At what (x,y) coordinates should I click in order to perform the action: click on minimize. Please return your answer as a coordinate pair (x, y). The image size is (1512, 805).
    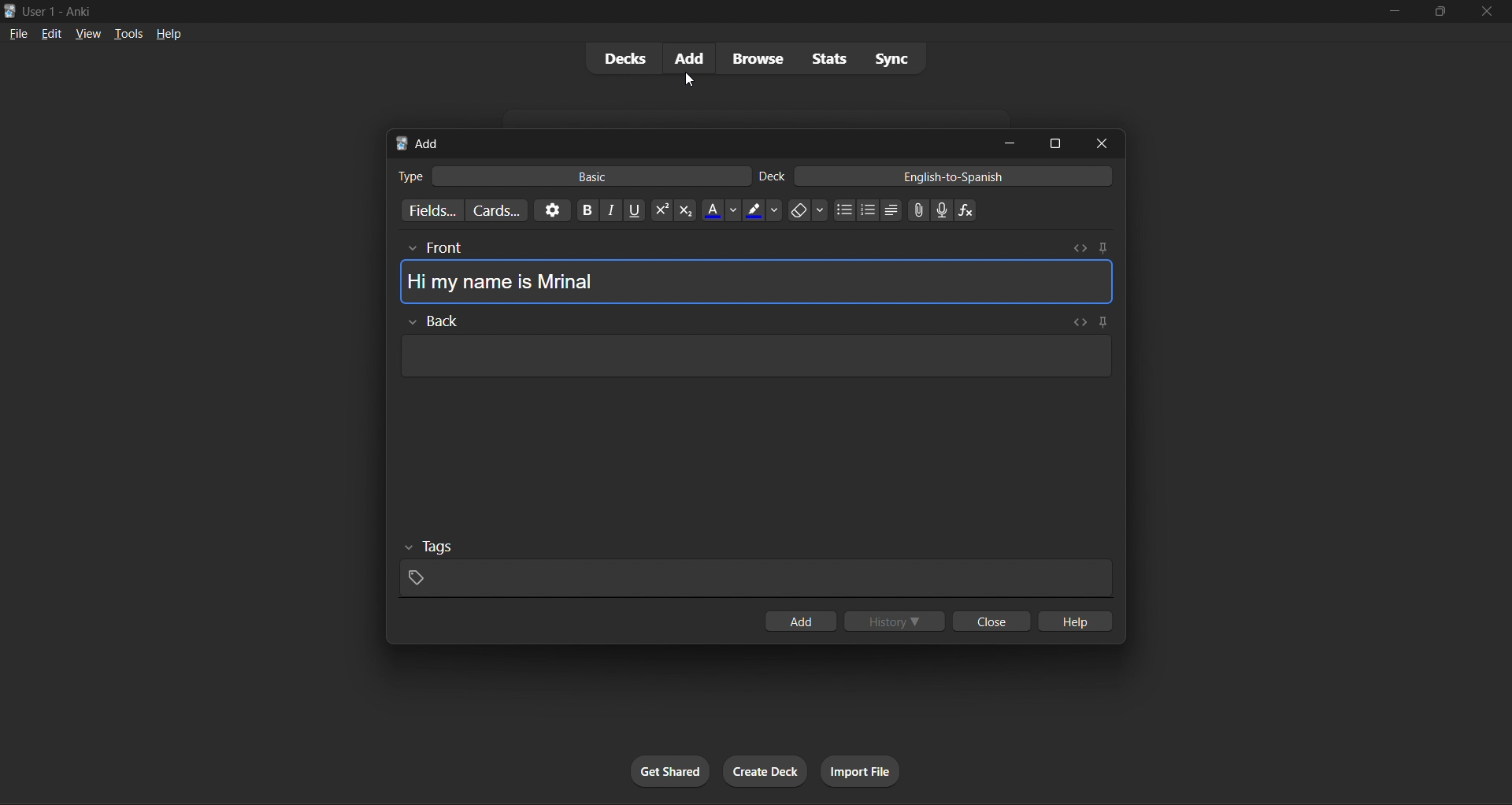
    Looking at the image, I should click on (1392, 14).